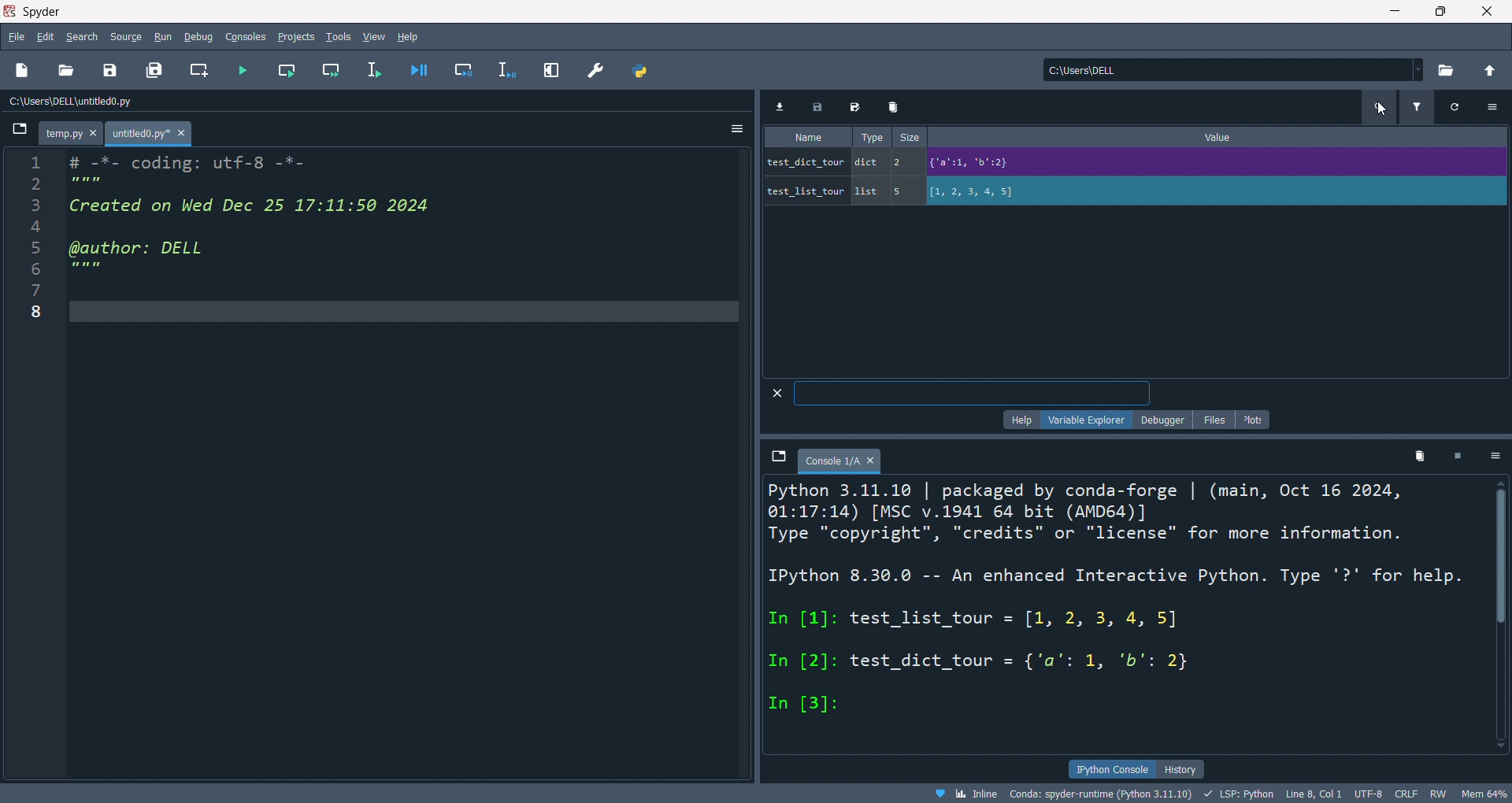 This screenshot has height=803, width=1512. I want to click on delete, so click(890, 105).